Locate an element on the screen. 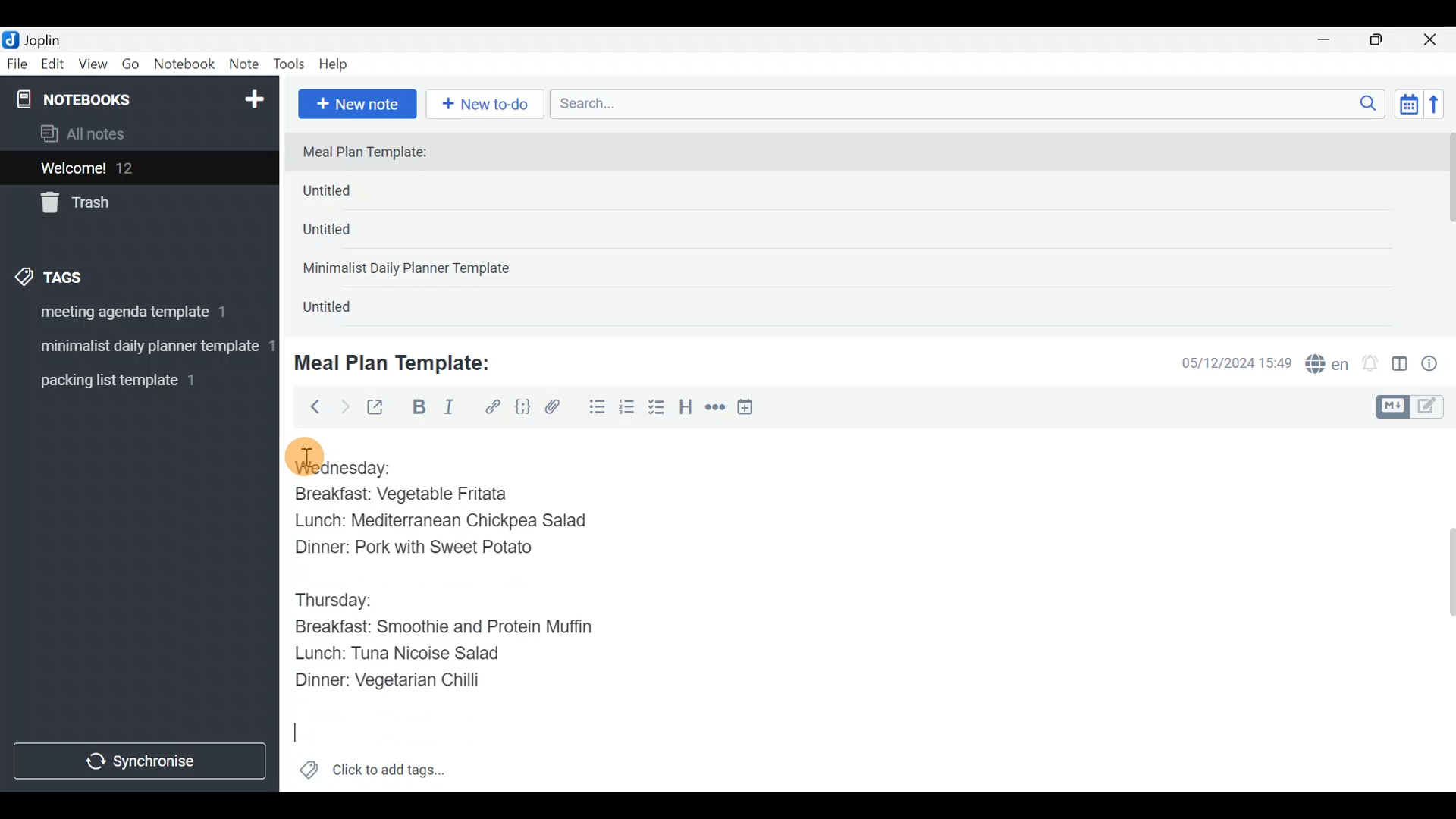 This screenshot has height=819, width=1456. New is located at coordinates (253, 96).